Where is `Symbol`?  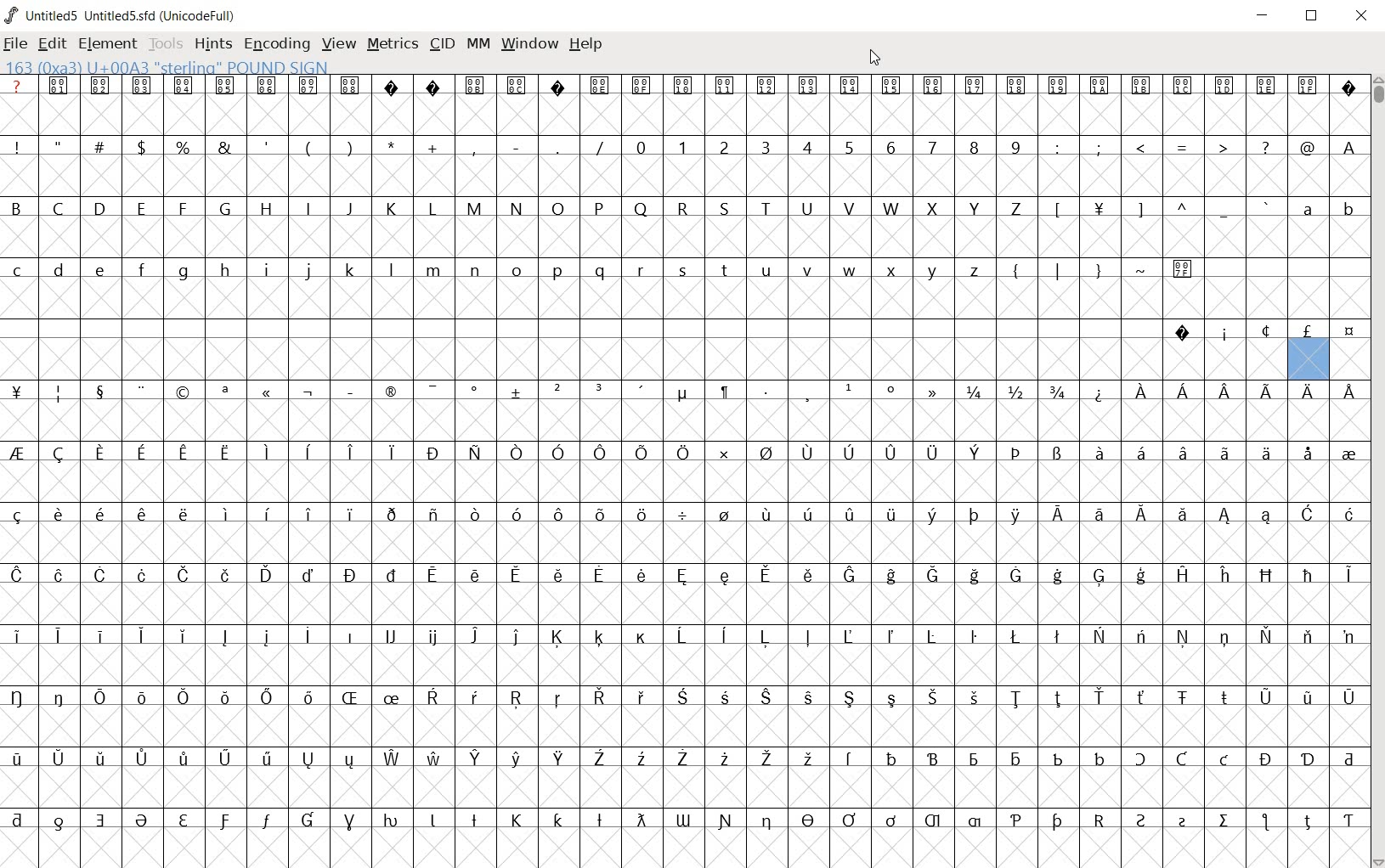
Symbol is located at coordinates (642, 637).